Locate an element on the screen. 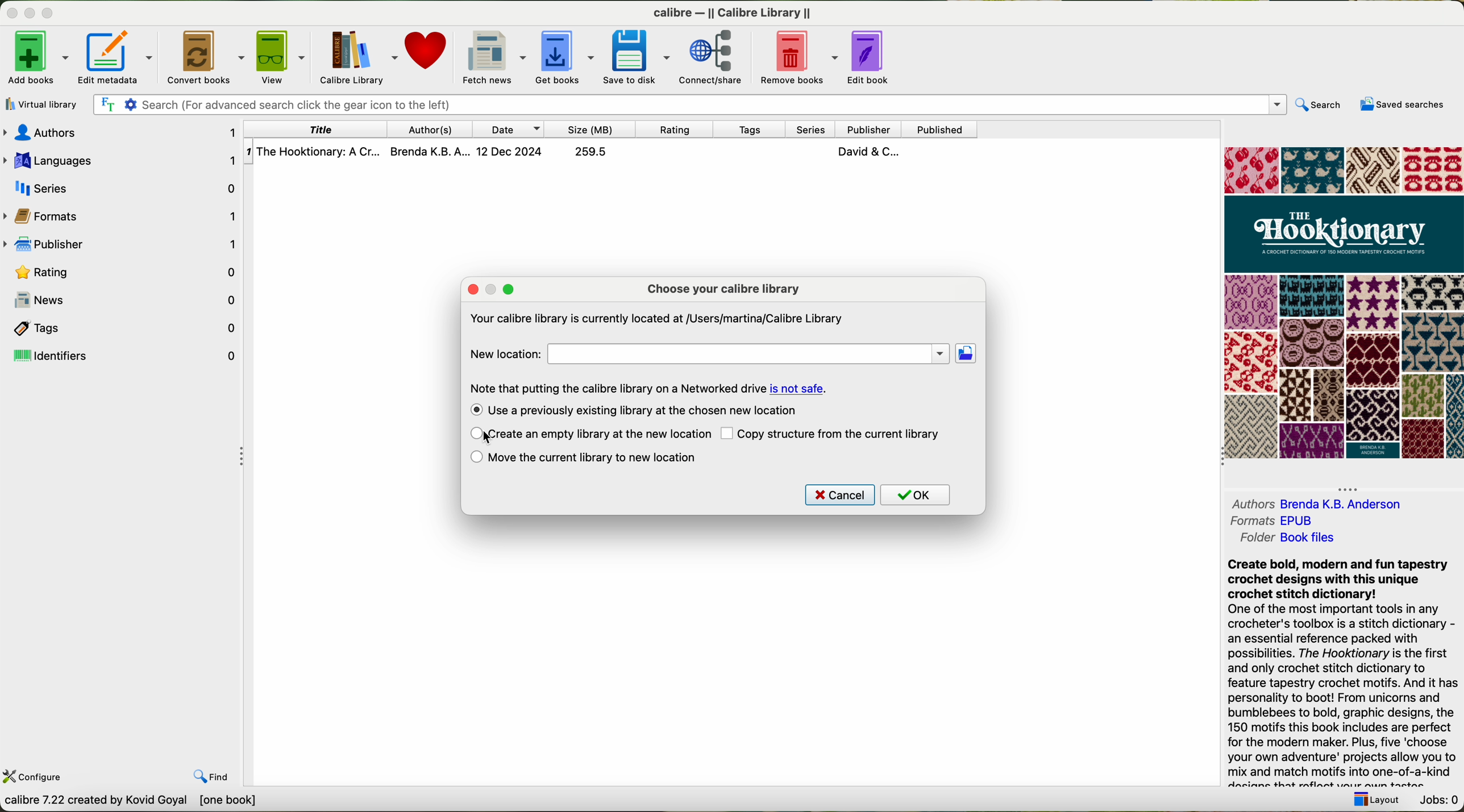 This screenshot has height=812, width=1464. get books is located at coordinates (565, 57).